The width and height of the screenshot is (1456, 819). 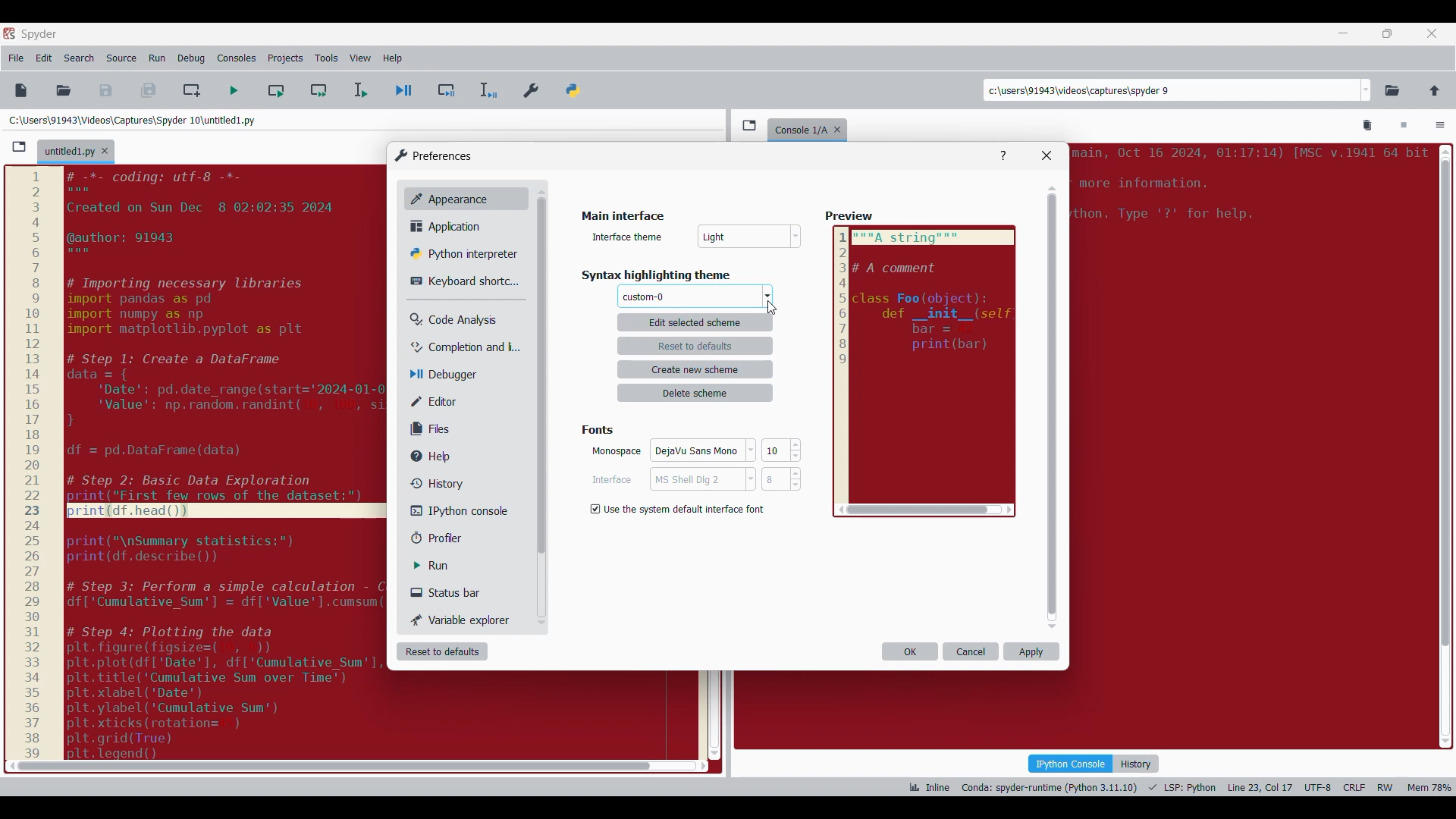 I want to click on Open, so click(x=64, y=90).